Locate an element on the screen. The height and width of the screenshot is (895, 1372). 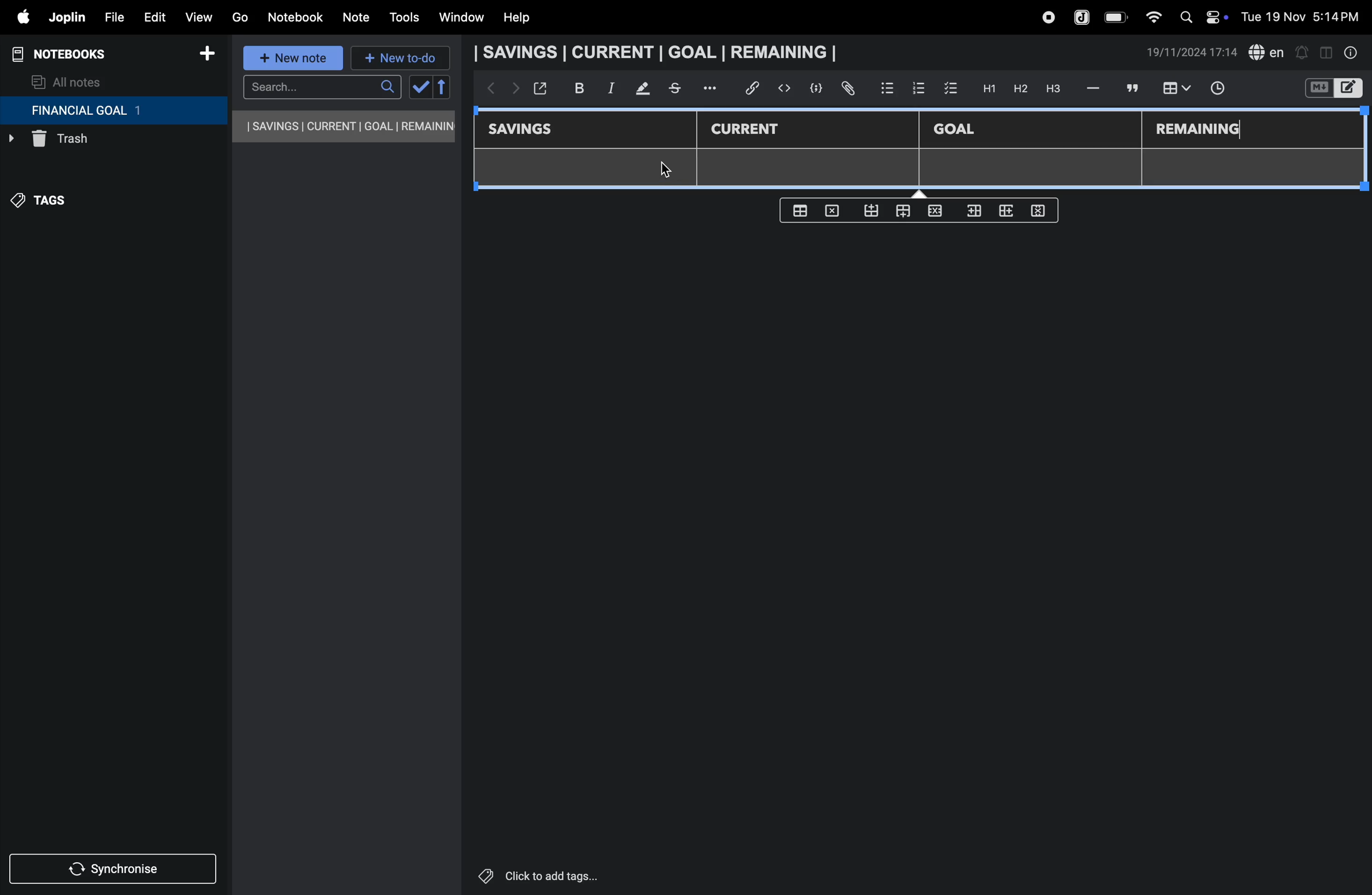
h2 is located at coordinates (1019, 88).